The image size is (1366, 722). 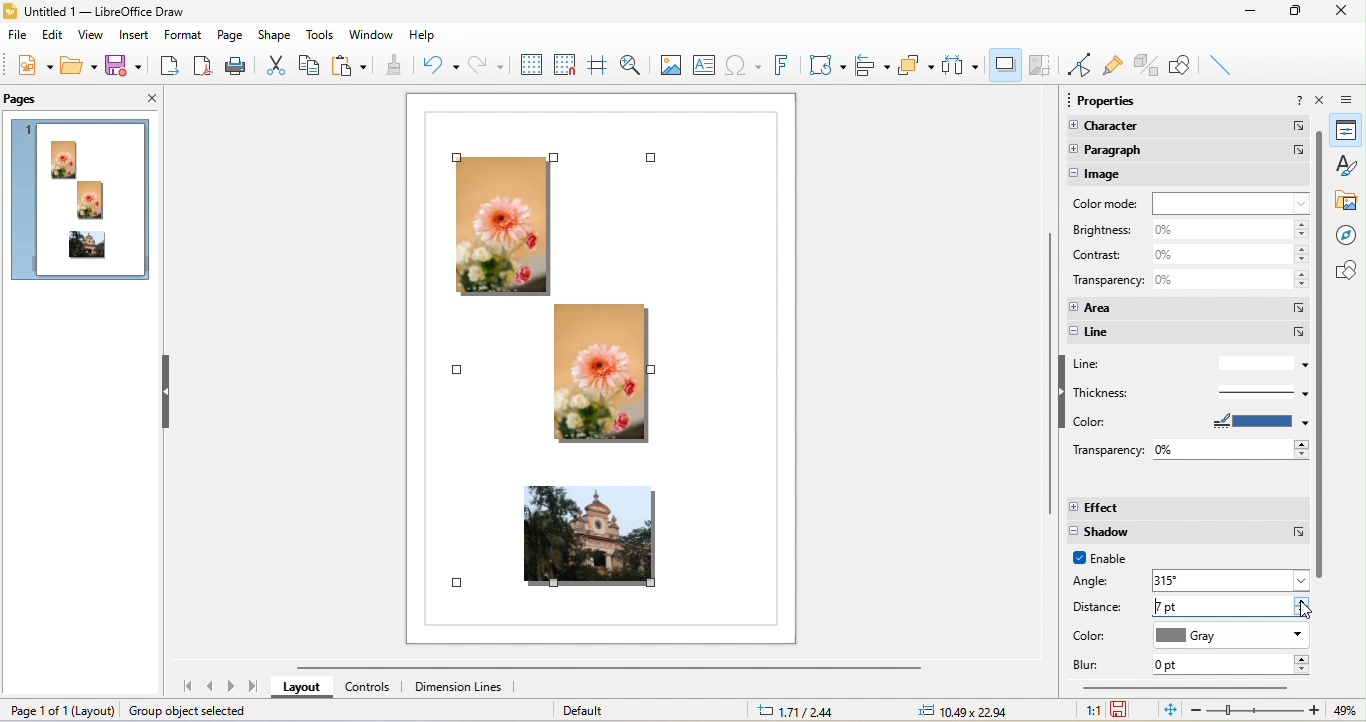 I want to click on copy, so click(x=309, y=69).